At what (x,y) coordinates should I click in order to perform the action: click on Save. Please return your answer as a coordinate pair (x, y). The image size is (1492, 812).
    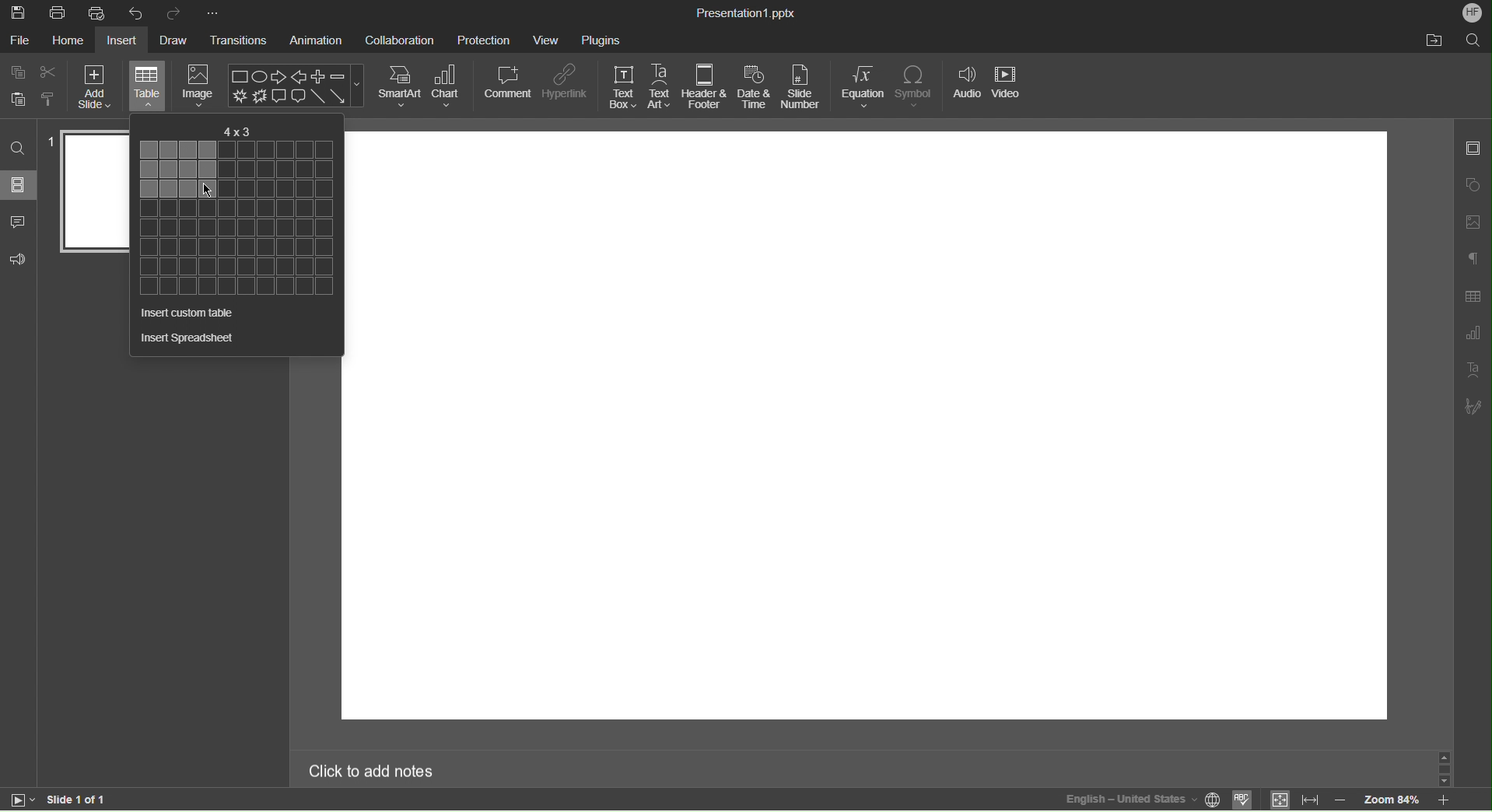
    Looking at the image, I should click on (18, 12).